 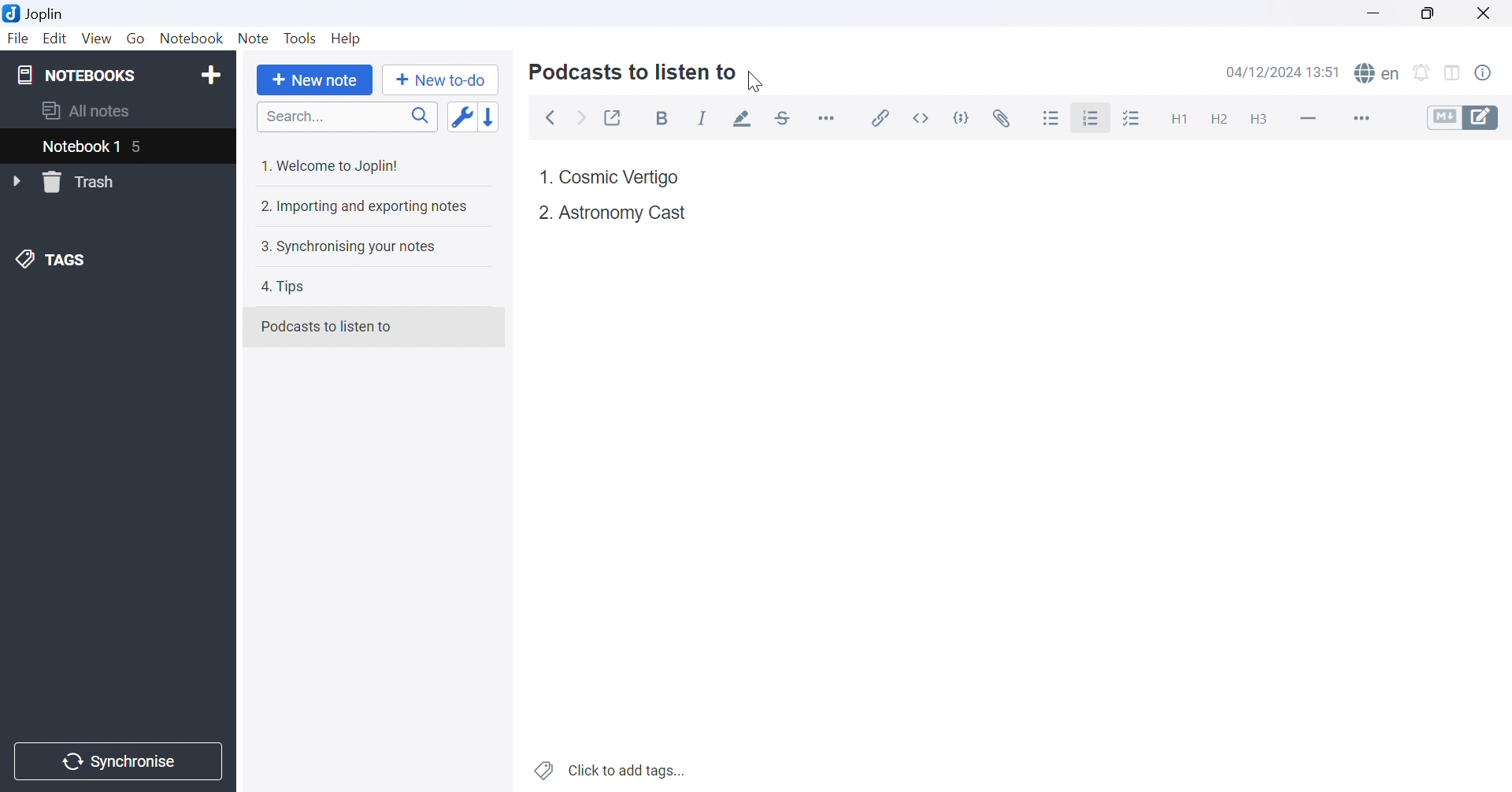 What do you see at coordinates (135, 38) in the screenshot?
I see `Go` at bounding box center [135, 38].